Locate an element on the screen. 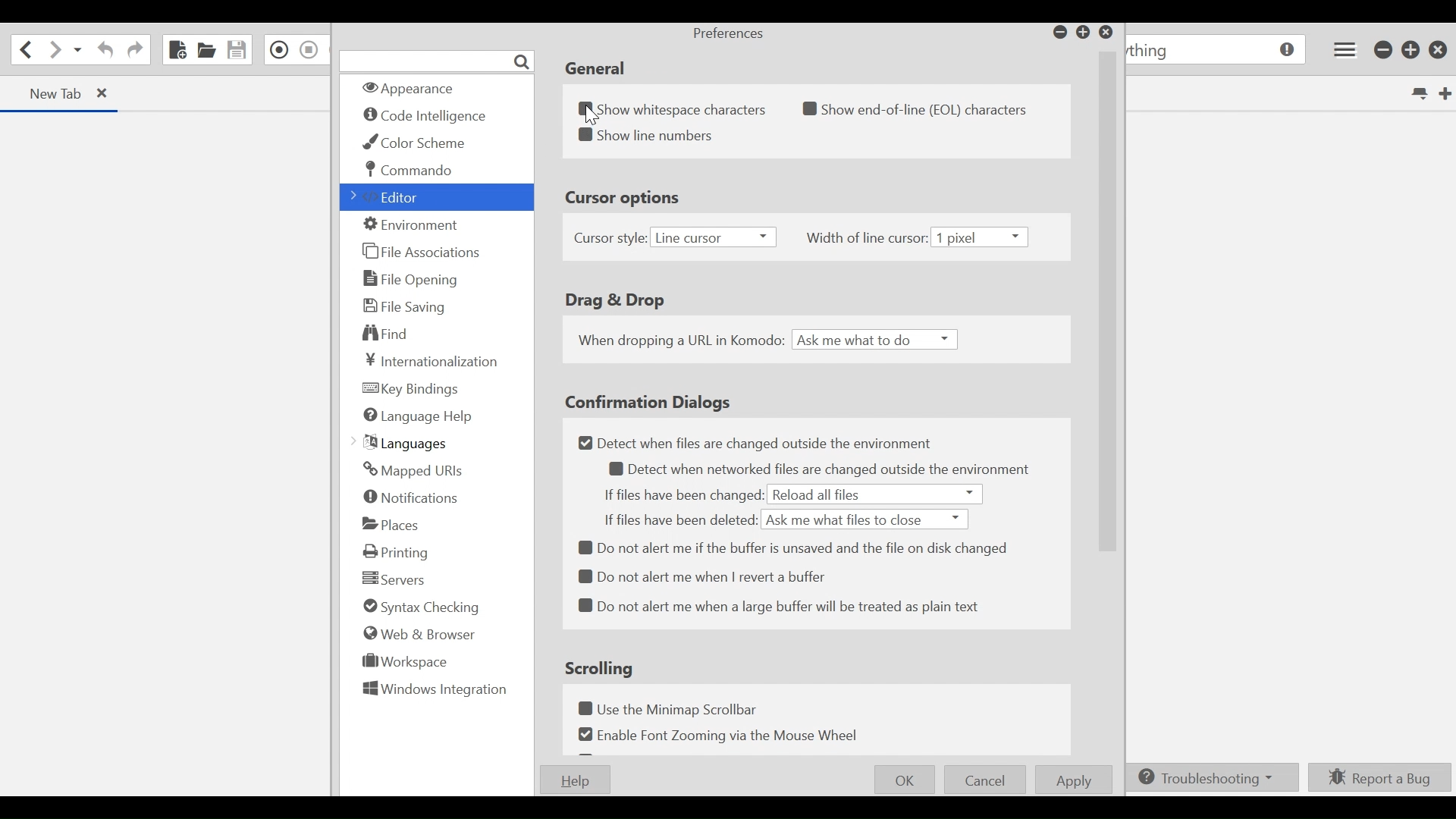  (un)select Show whitespace characters is located at coordinates (684, 108).